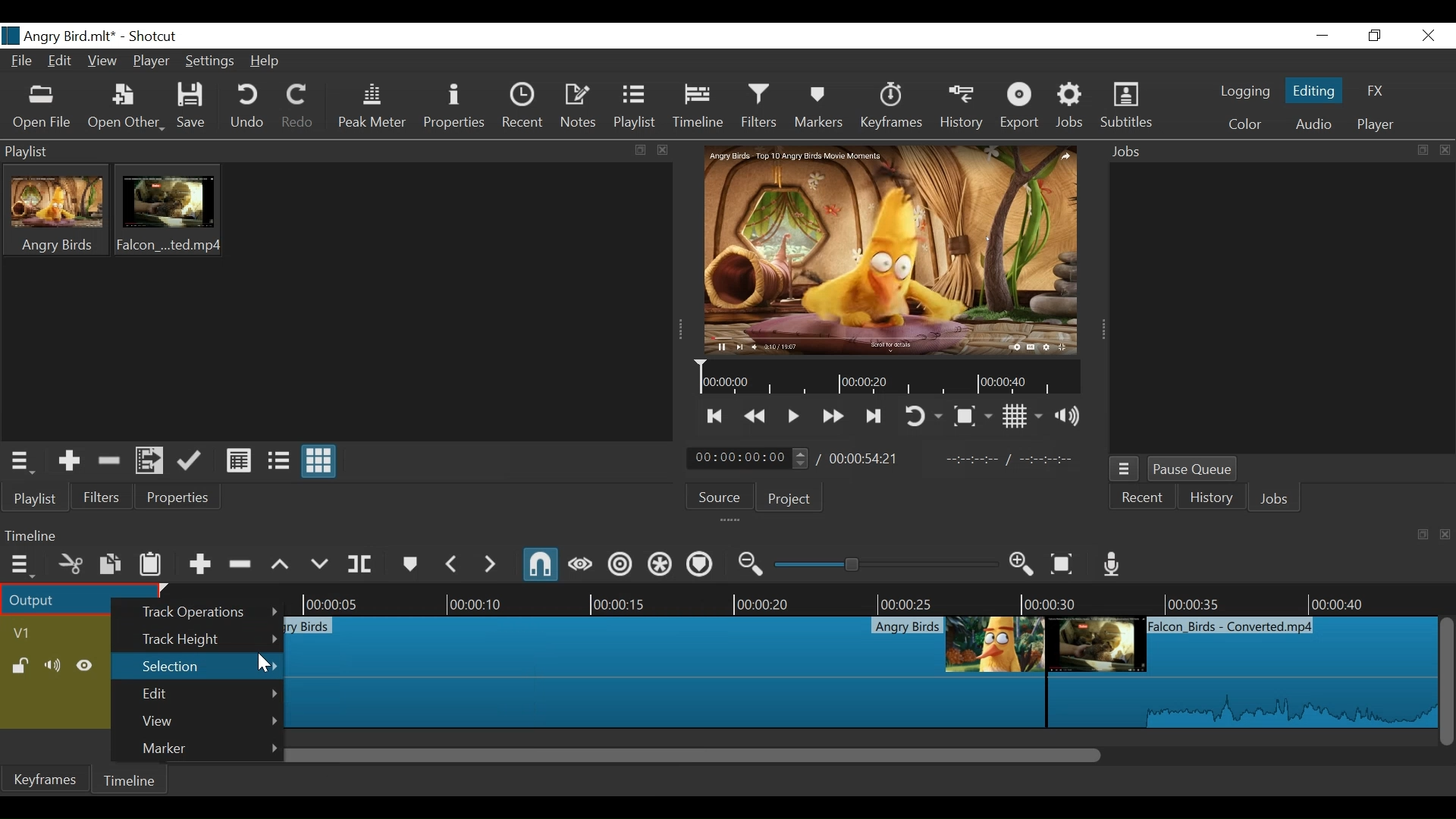 This screenshot has height=819, width=1456. What do you see at coordinates (337, 152) in the screenshot?
I see `Playlist Panel` at bounding box center [337, 152].